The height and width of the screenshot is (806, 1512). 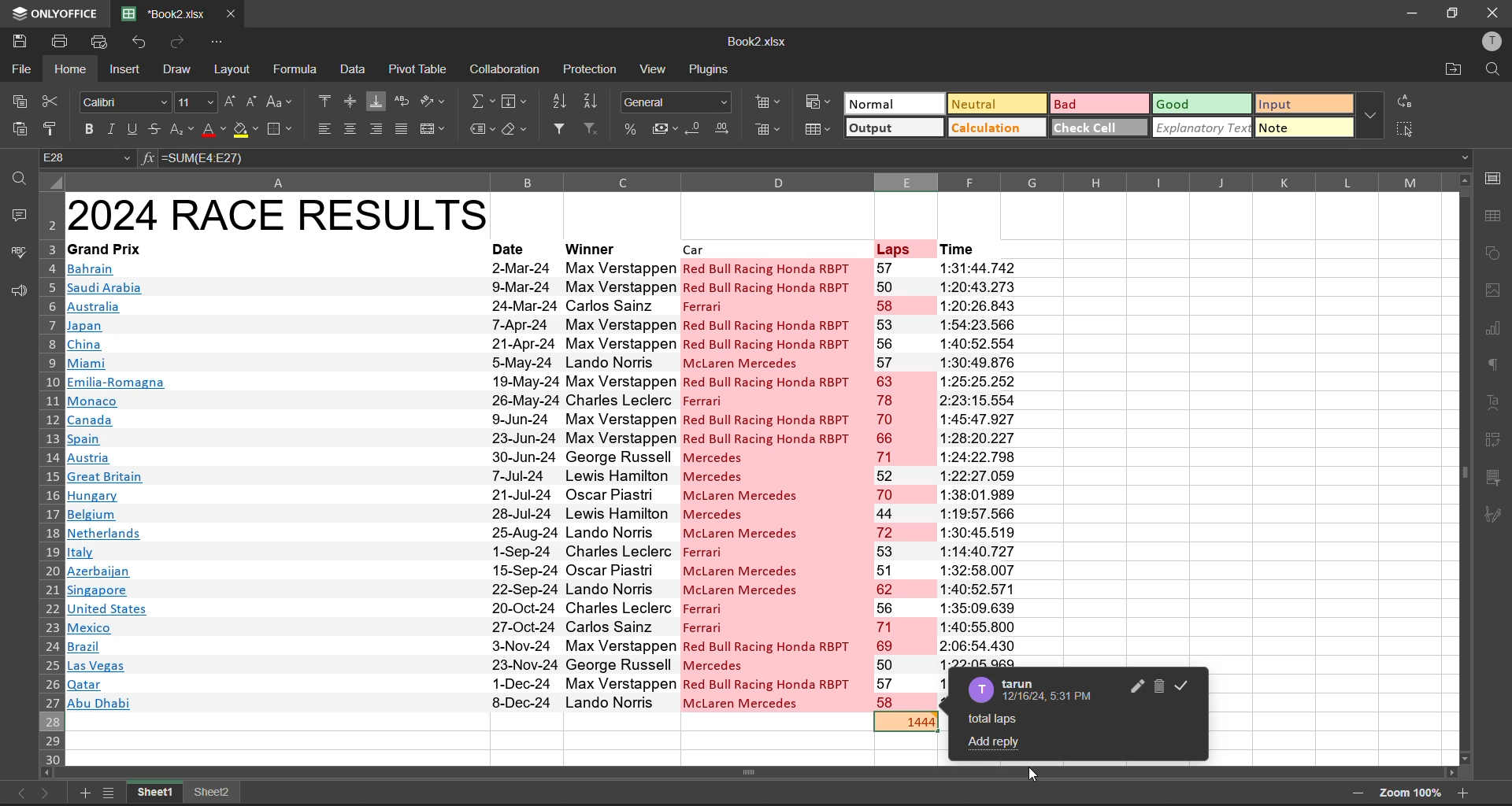 I want to click on winners, so click(x=619, y=483).